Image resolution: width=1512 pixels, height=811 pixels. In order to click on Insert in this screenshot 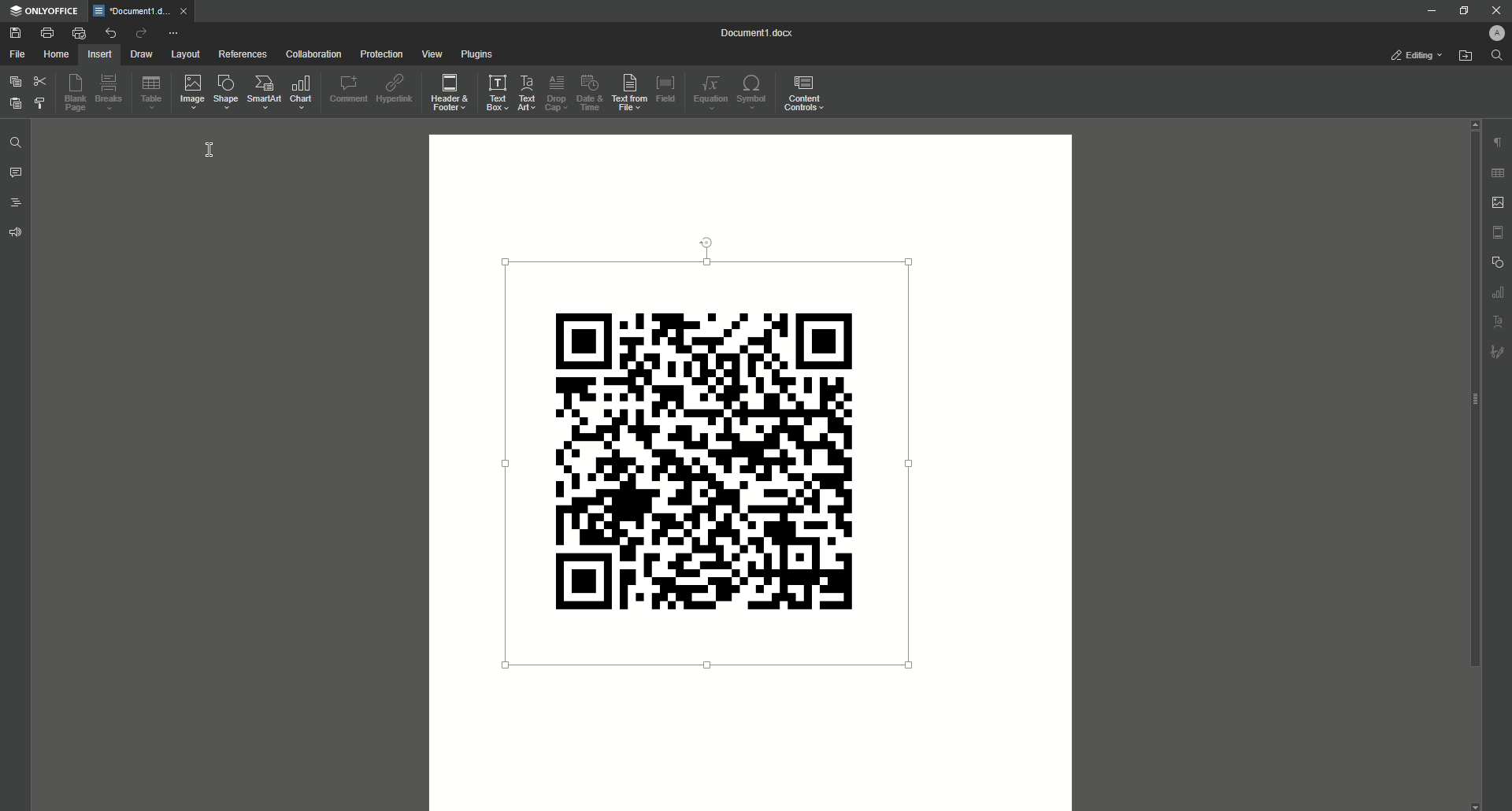, I will do `click(100, 54)`.